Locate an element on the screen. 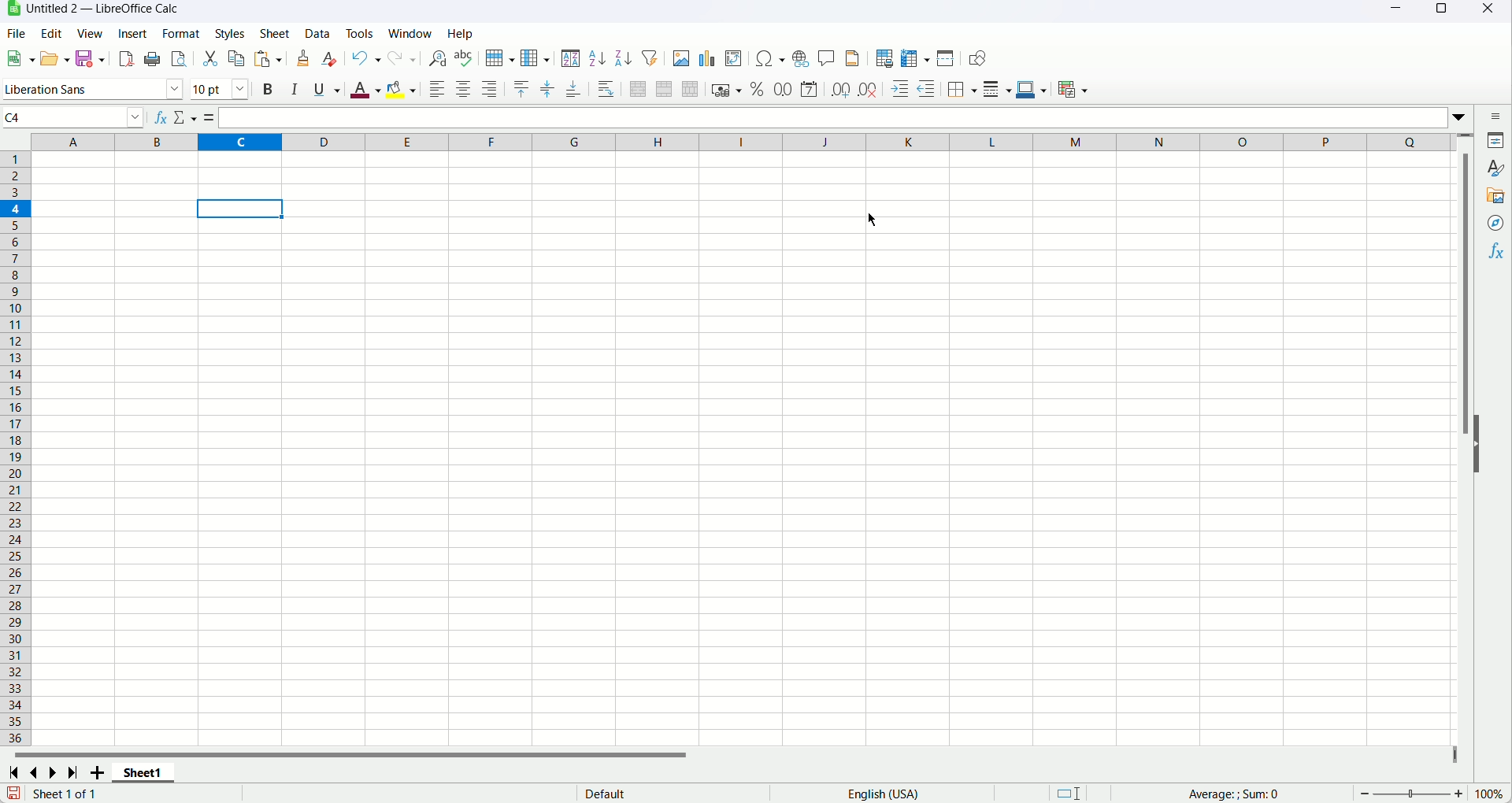 The width and height of the screenshot is (1512, 803). Format as date is located at coordinates (808, 89).